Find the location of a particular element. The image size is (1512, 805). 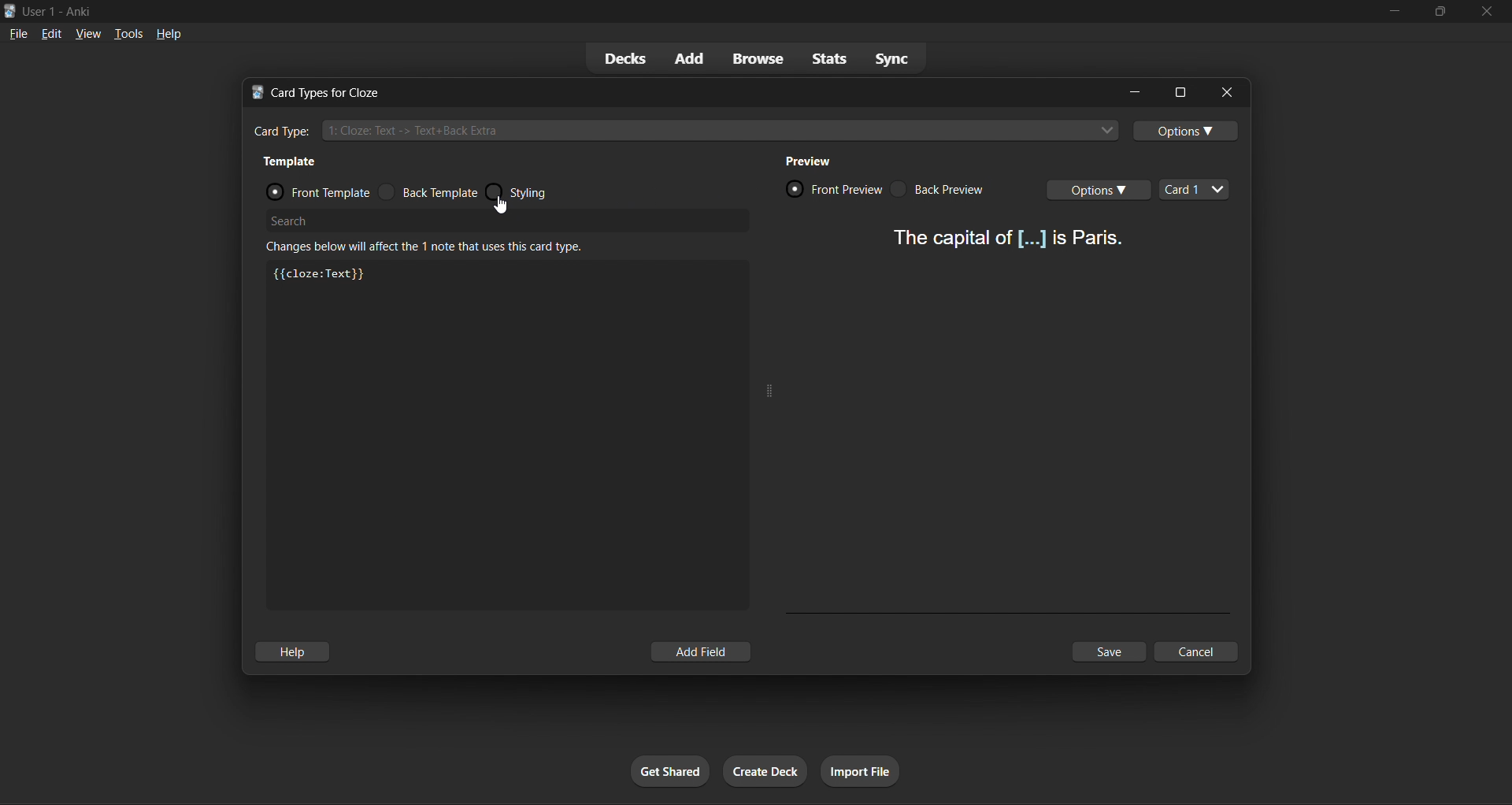

cancel is located at coordinates (1197, 651).